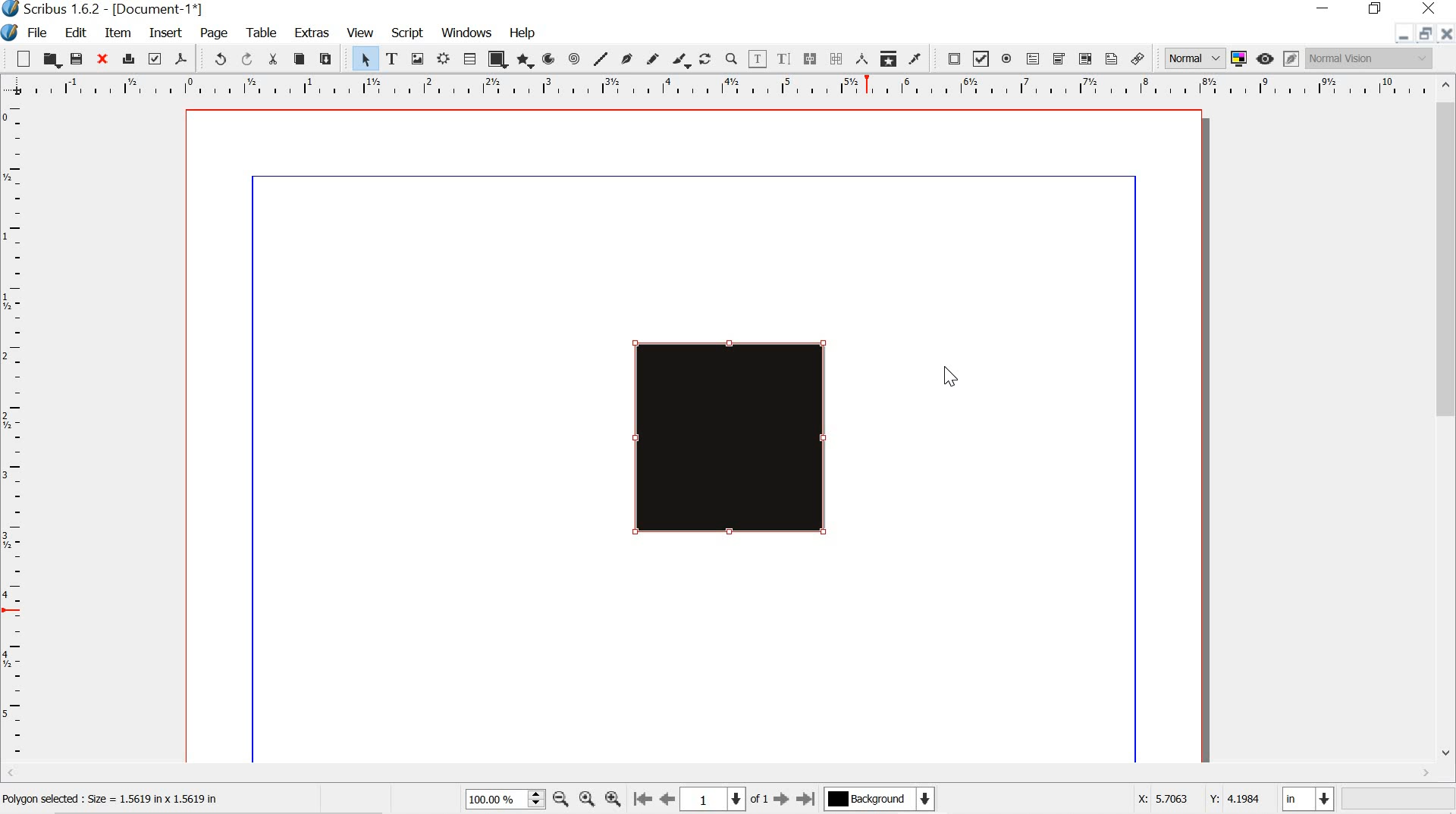 The height and width of the screenshot is (814, 1456). I want to click on normal, so click(1194, 58).